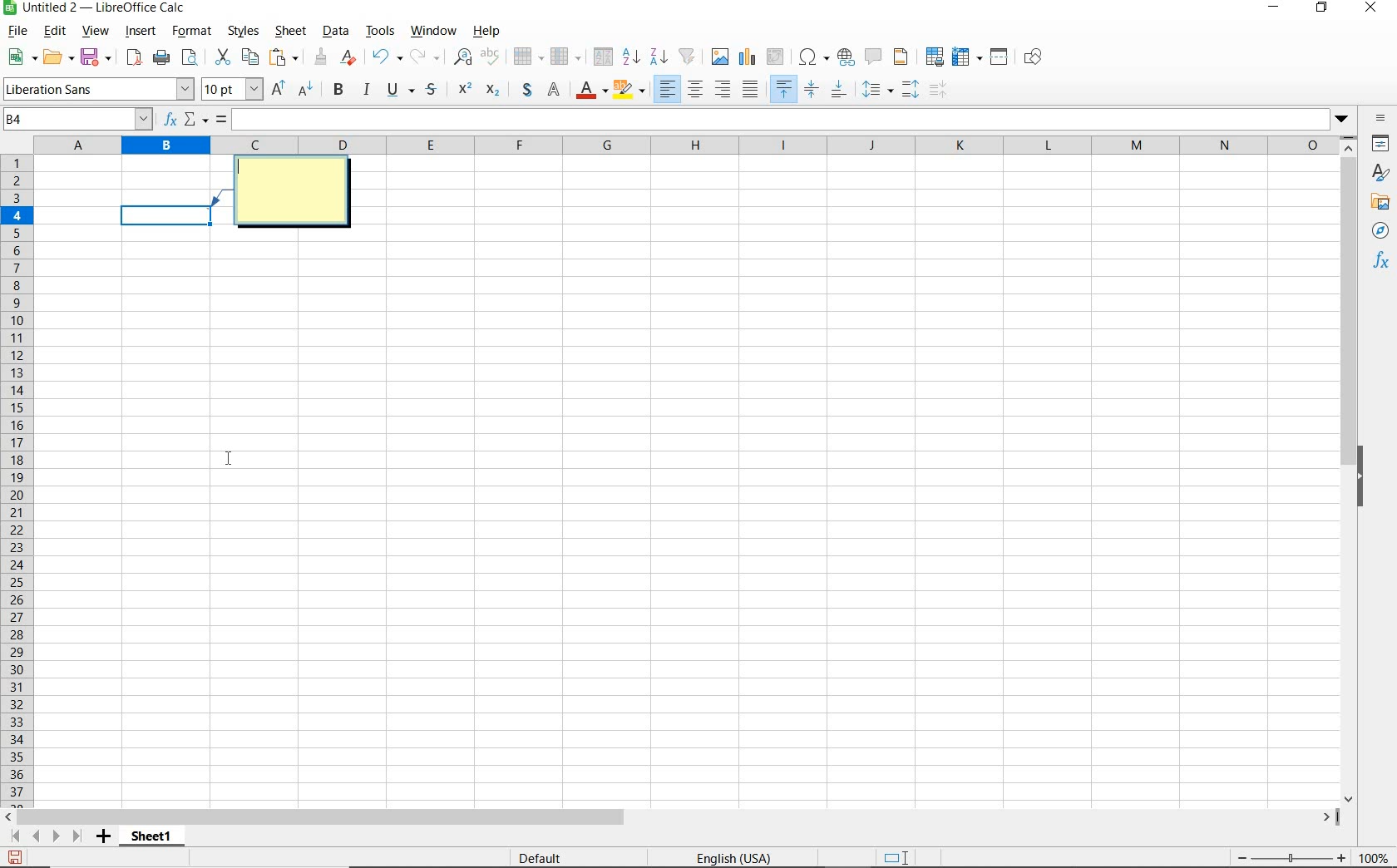 This screenshot has width=1397, height=868. Describe the element at coordinates (795, 119) in the screenshot. I see `expand formula bar` at that location.